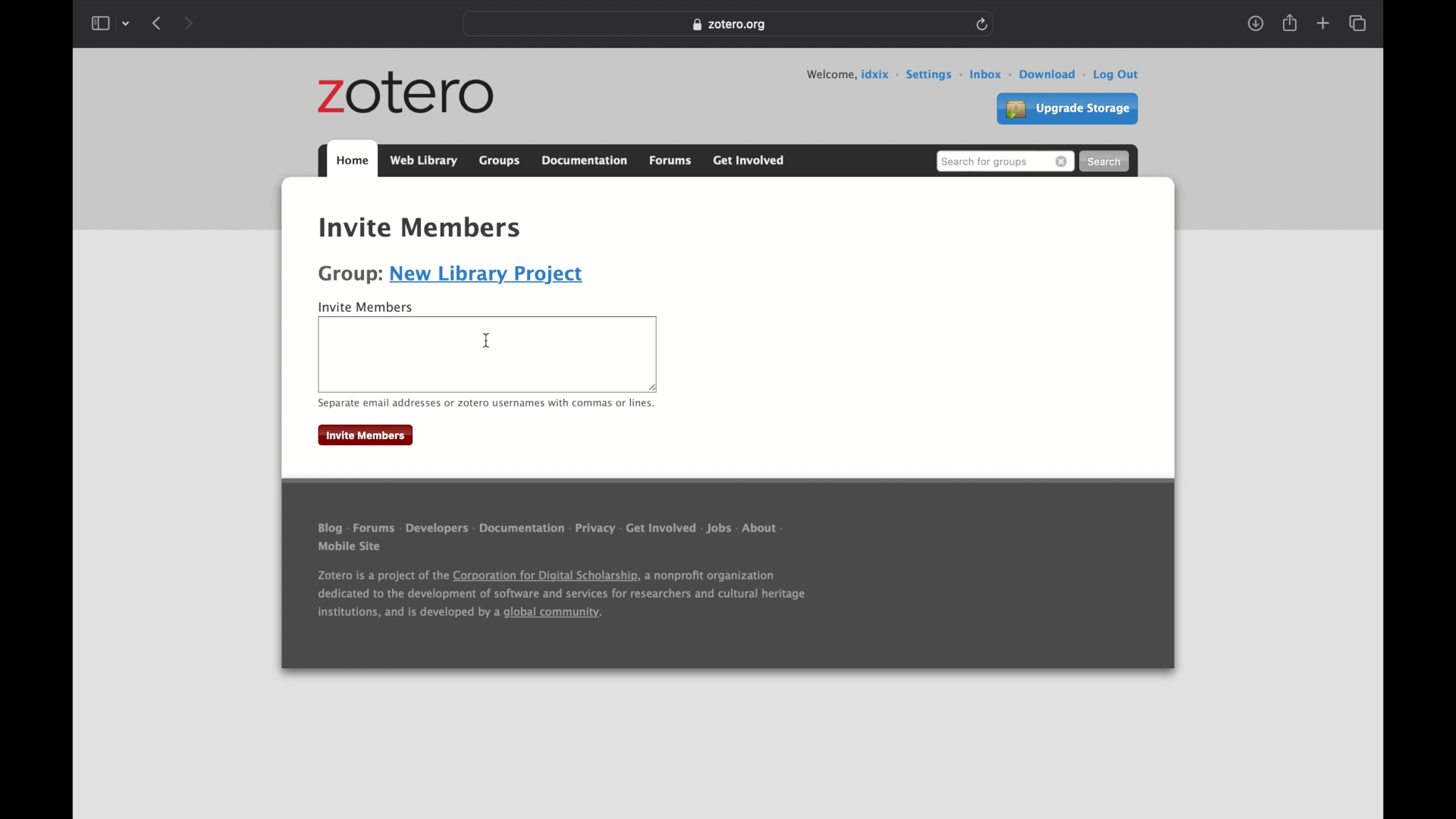 Image resolution: width=1456 pixels, height=819 pixels. I want to click on inbox, so click(990, 74).